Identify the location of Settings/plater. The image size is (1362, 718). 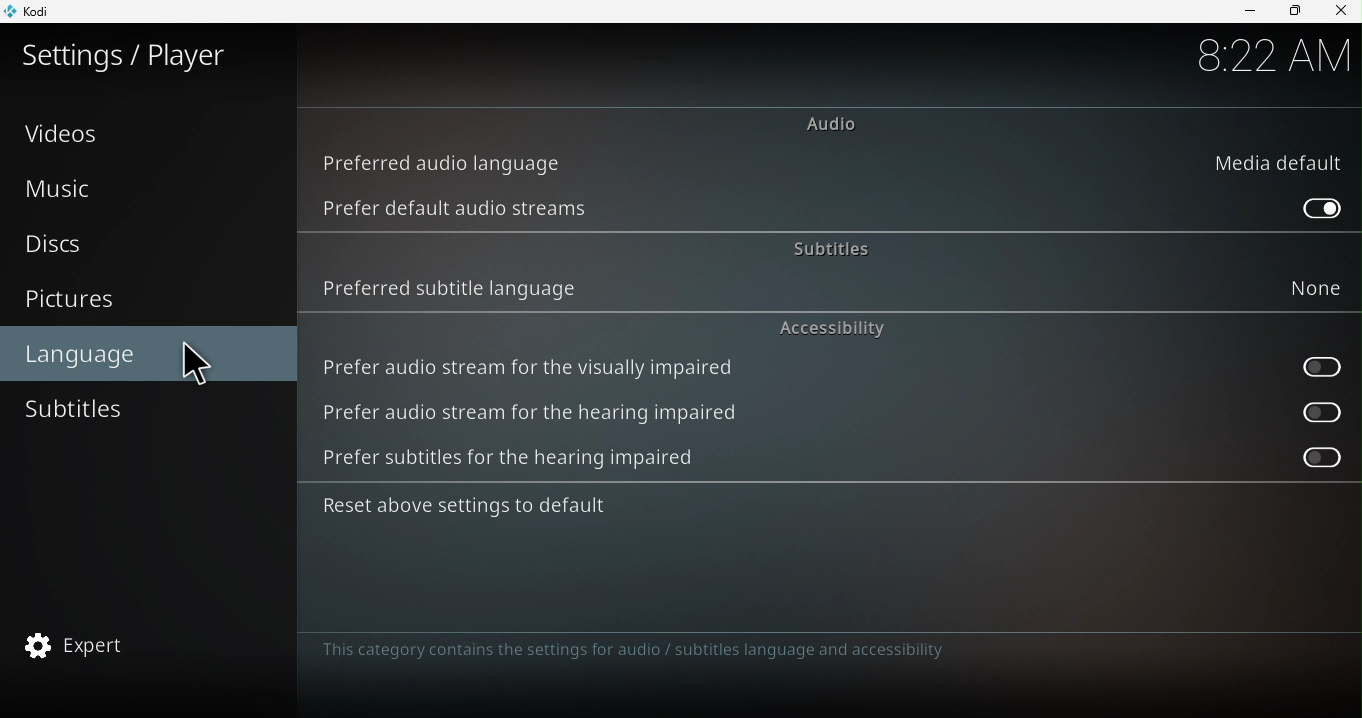
(127, 55).